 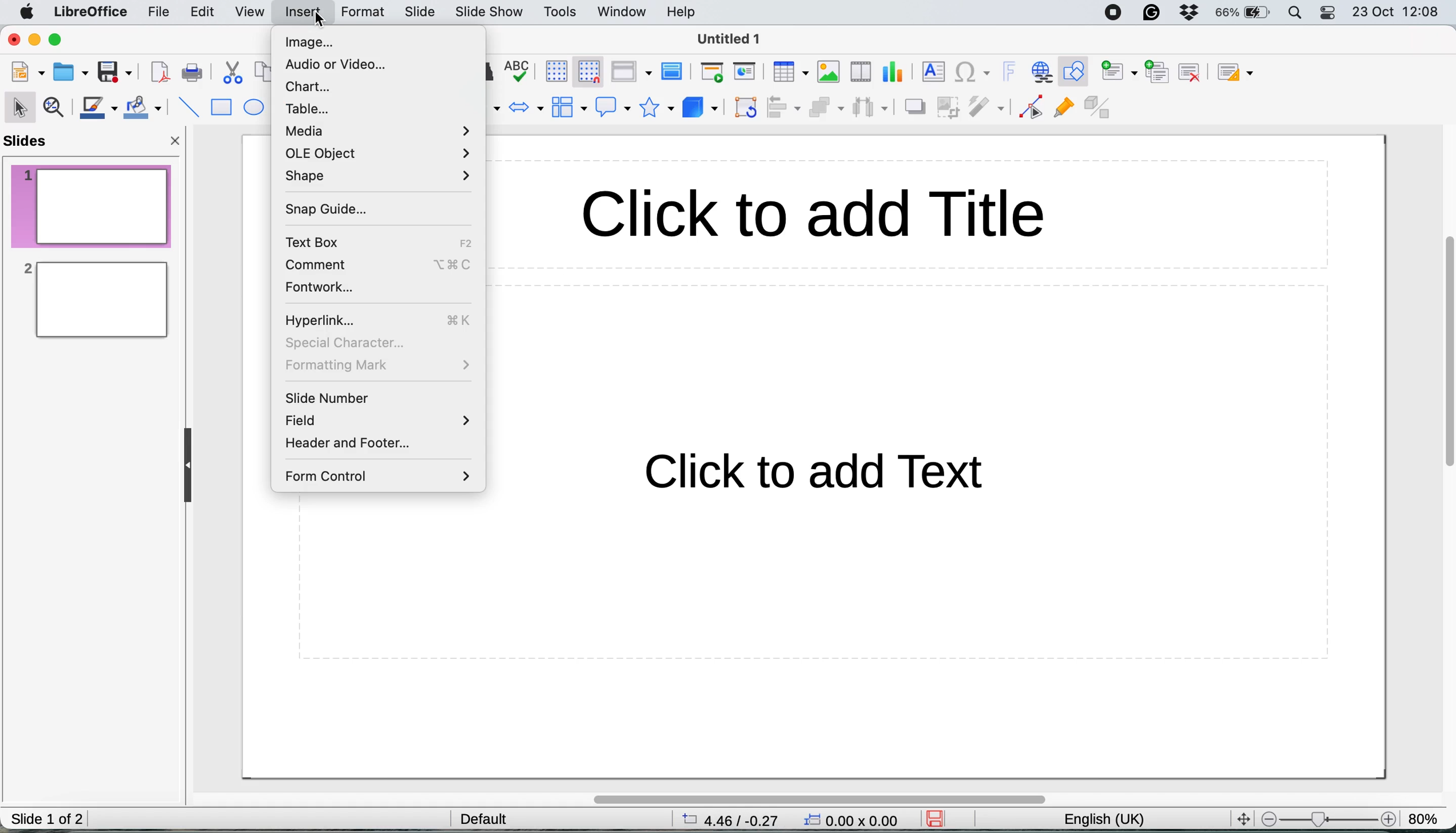 What do you see at coordinates (973, 73) in the screenshot?
I see `insert special character` at bounding box center [973, 73].